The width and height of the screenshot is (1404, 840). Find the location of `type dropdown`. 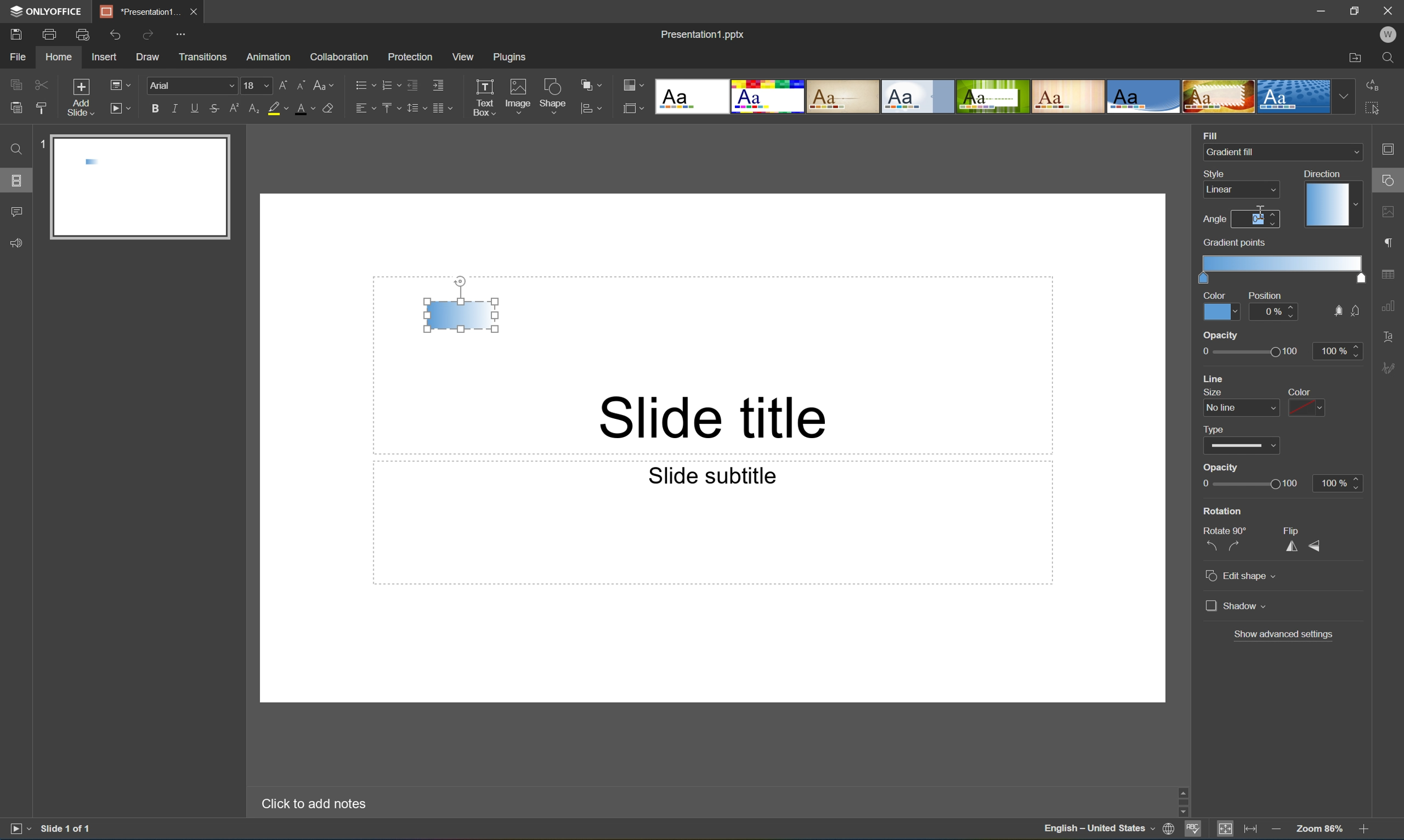

type dropdown is located at coordinates (1243, 446).